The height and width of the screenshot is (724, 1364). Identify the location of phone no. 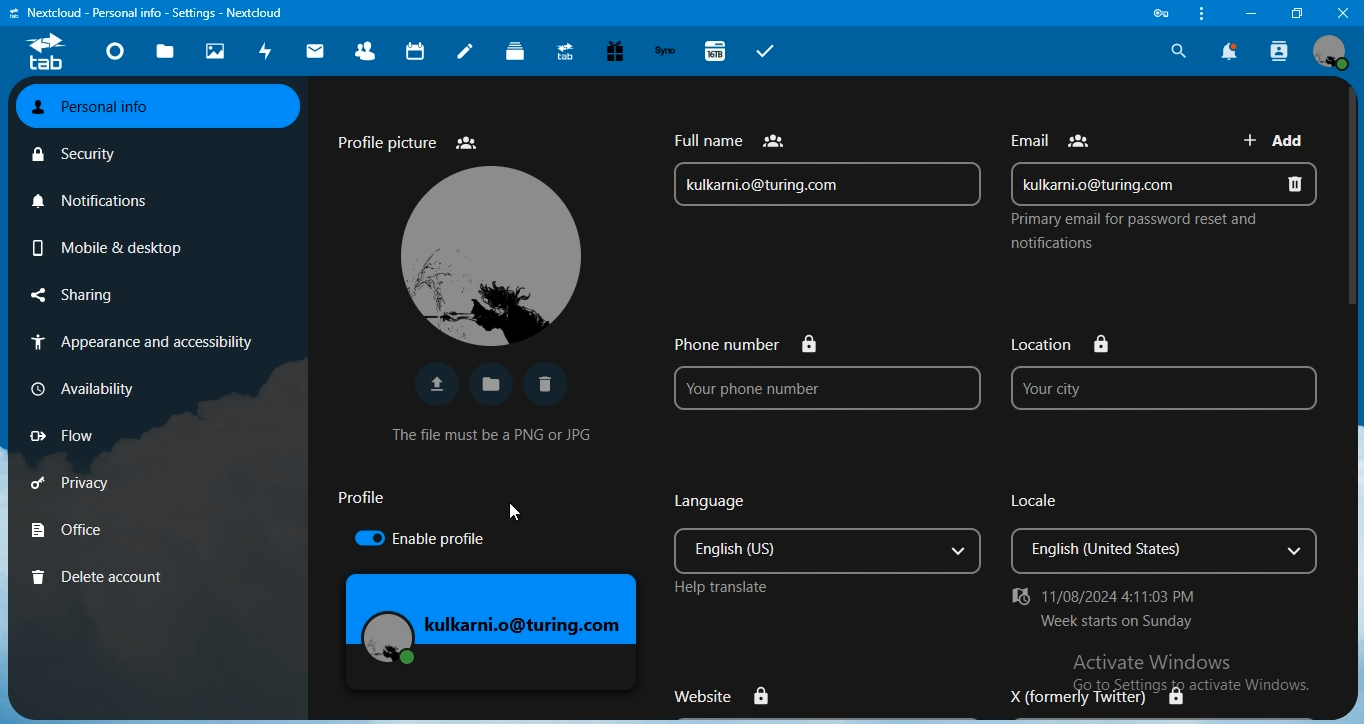
(815, 373).